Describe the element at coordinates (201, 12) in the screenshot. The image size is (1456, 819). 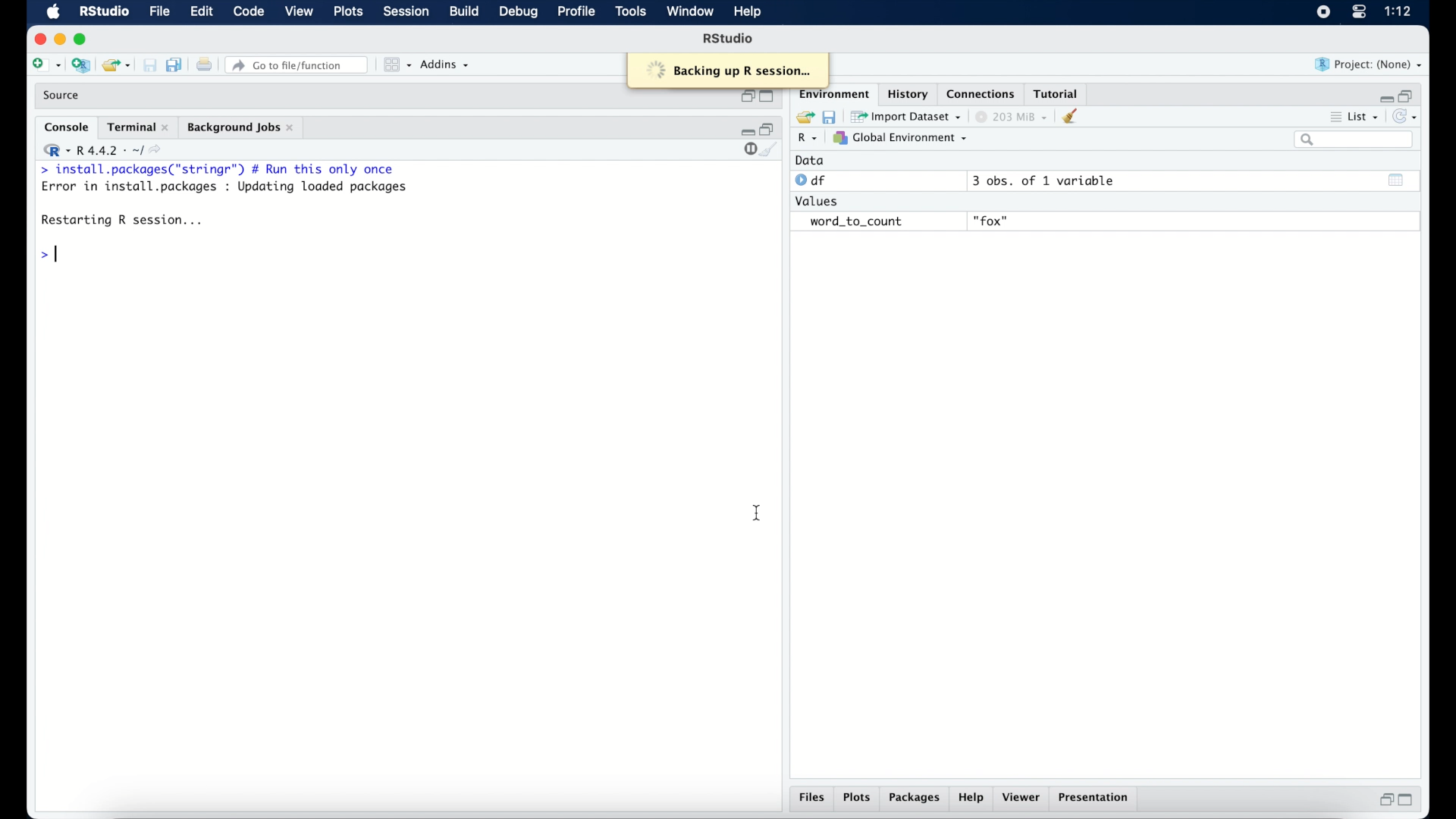
I see `edit` at that location.